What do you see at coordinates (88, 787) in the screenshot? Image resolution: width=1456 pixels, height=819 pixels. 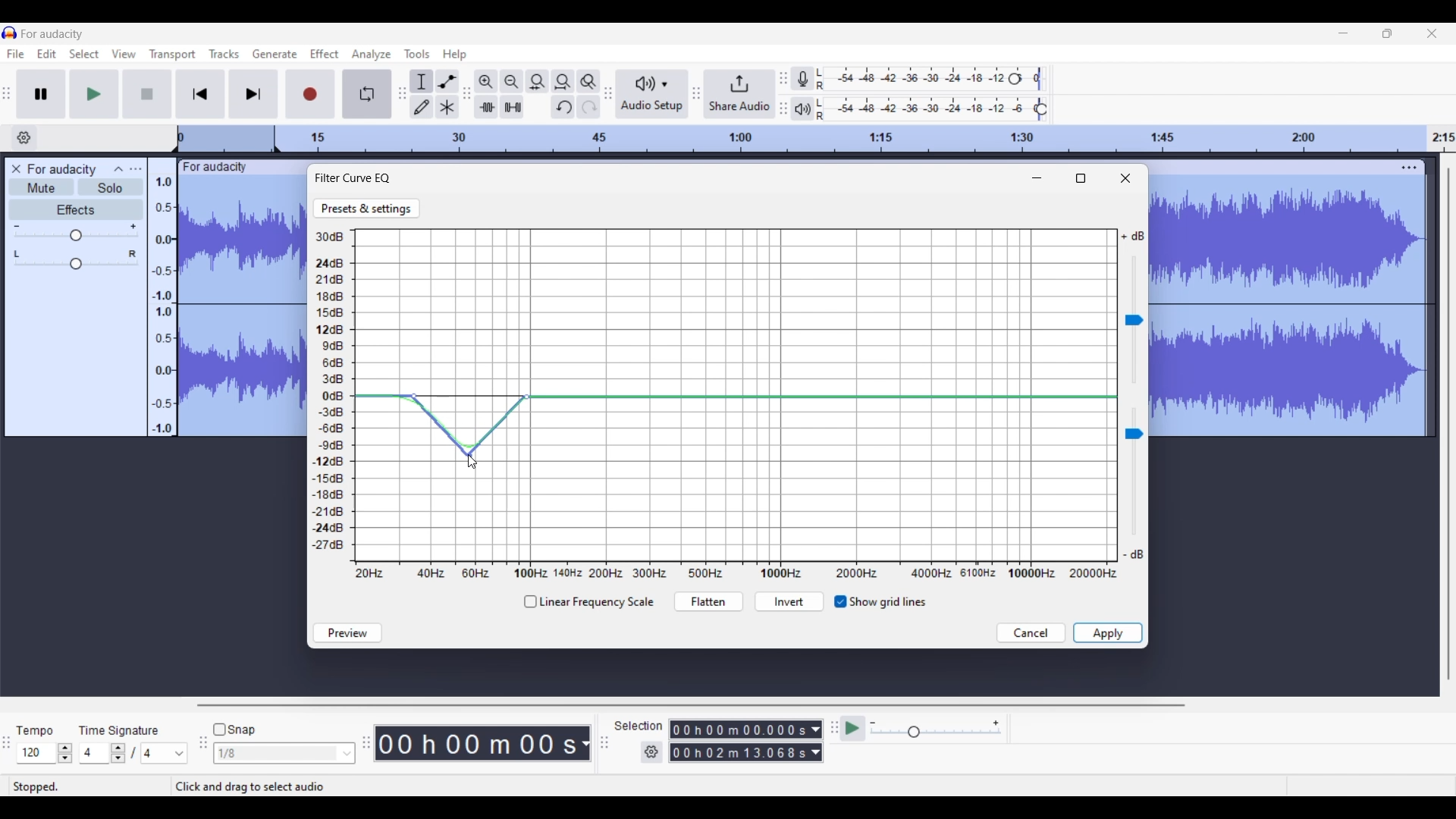 I see `Status of current recording` at bounding box center [88, 787].